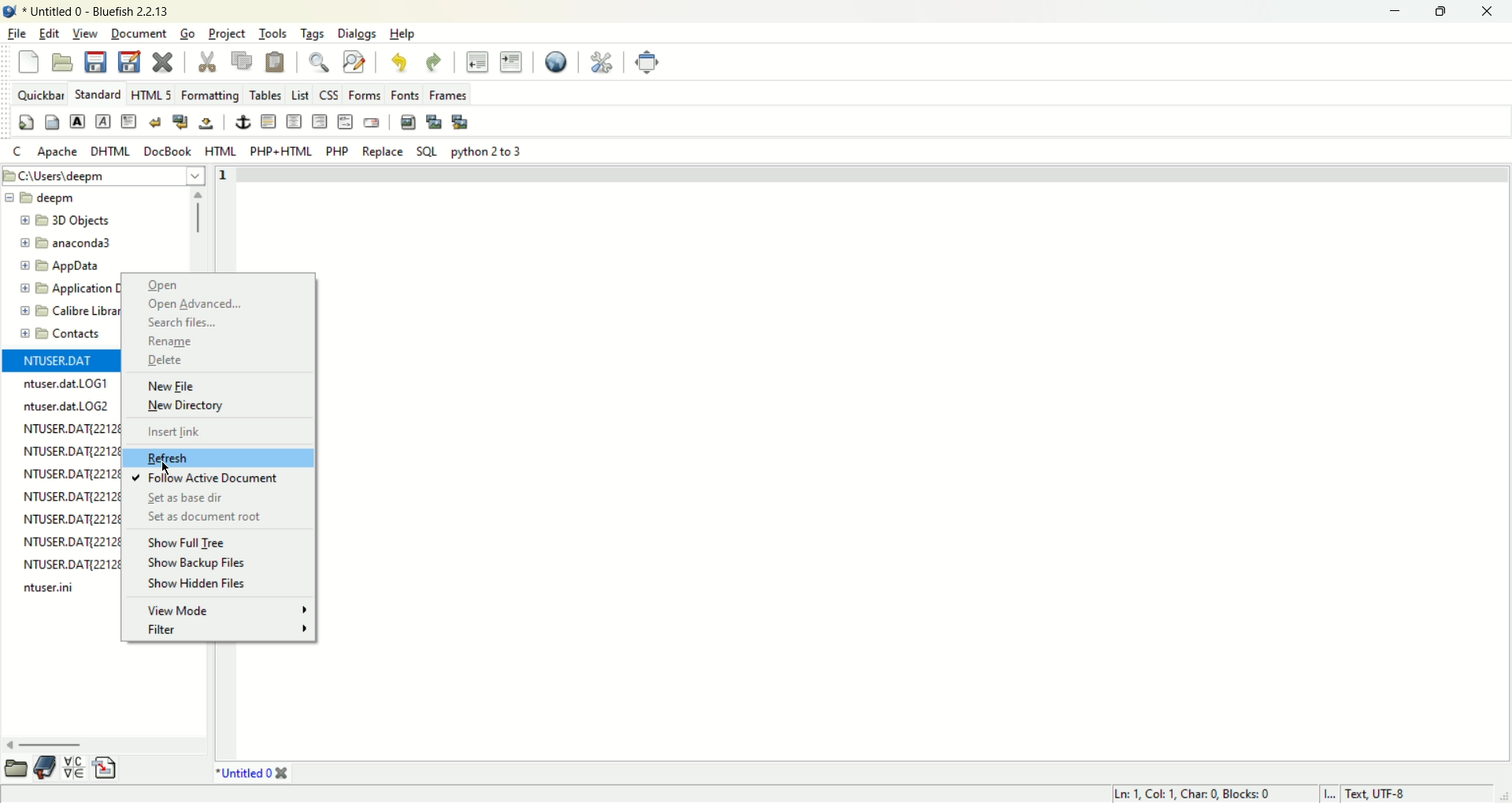  Describe the element at coordinates (76, 120) in the screenshot. I see `strong` at that location.